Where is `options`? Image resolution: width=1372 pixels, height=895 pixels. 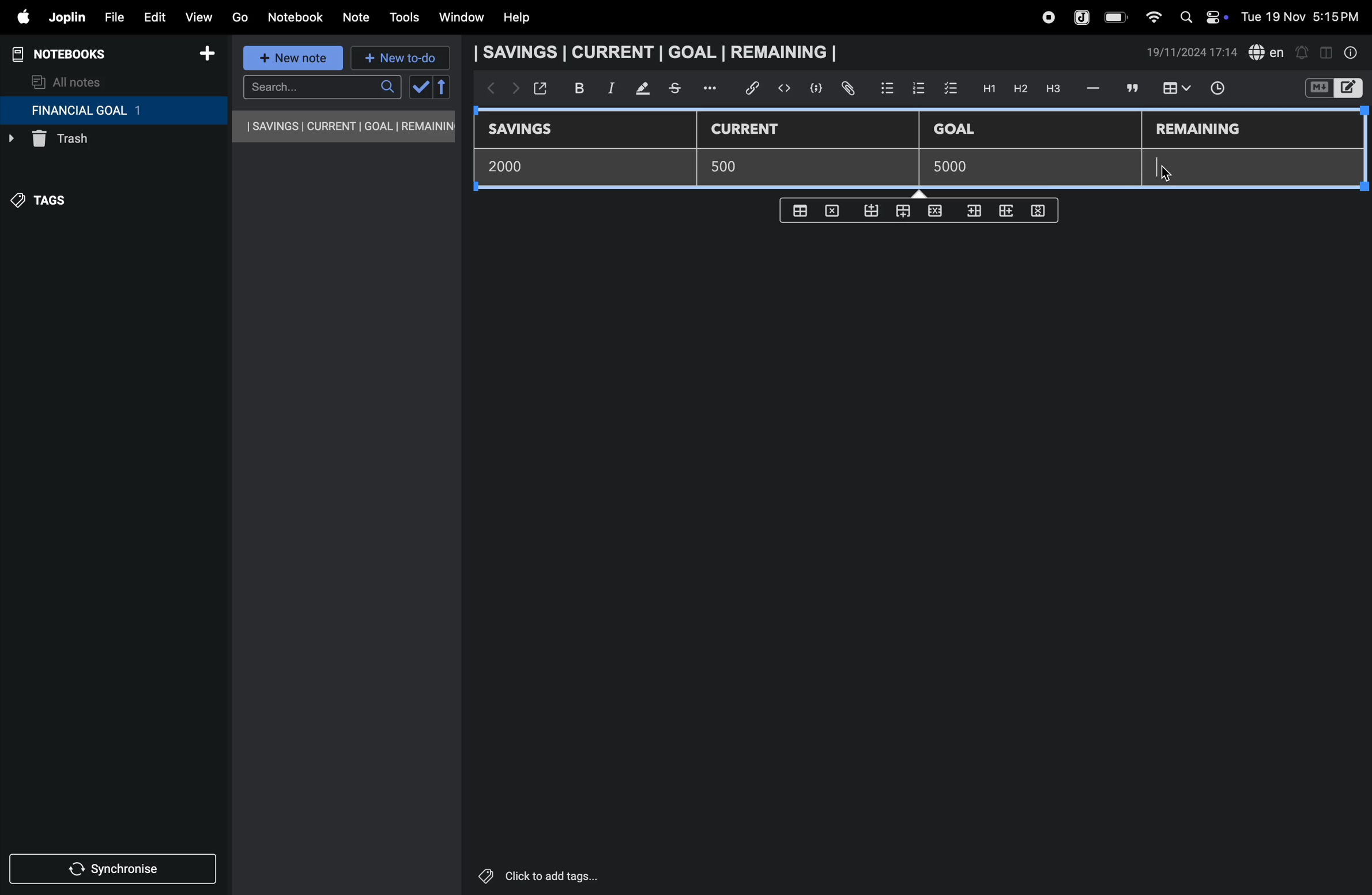 options is located at coordinates (712, 88).